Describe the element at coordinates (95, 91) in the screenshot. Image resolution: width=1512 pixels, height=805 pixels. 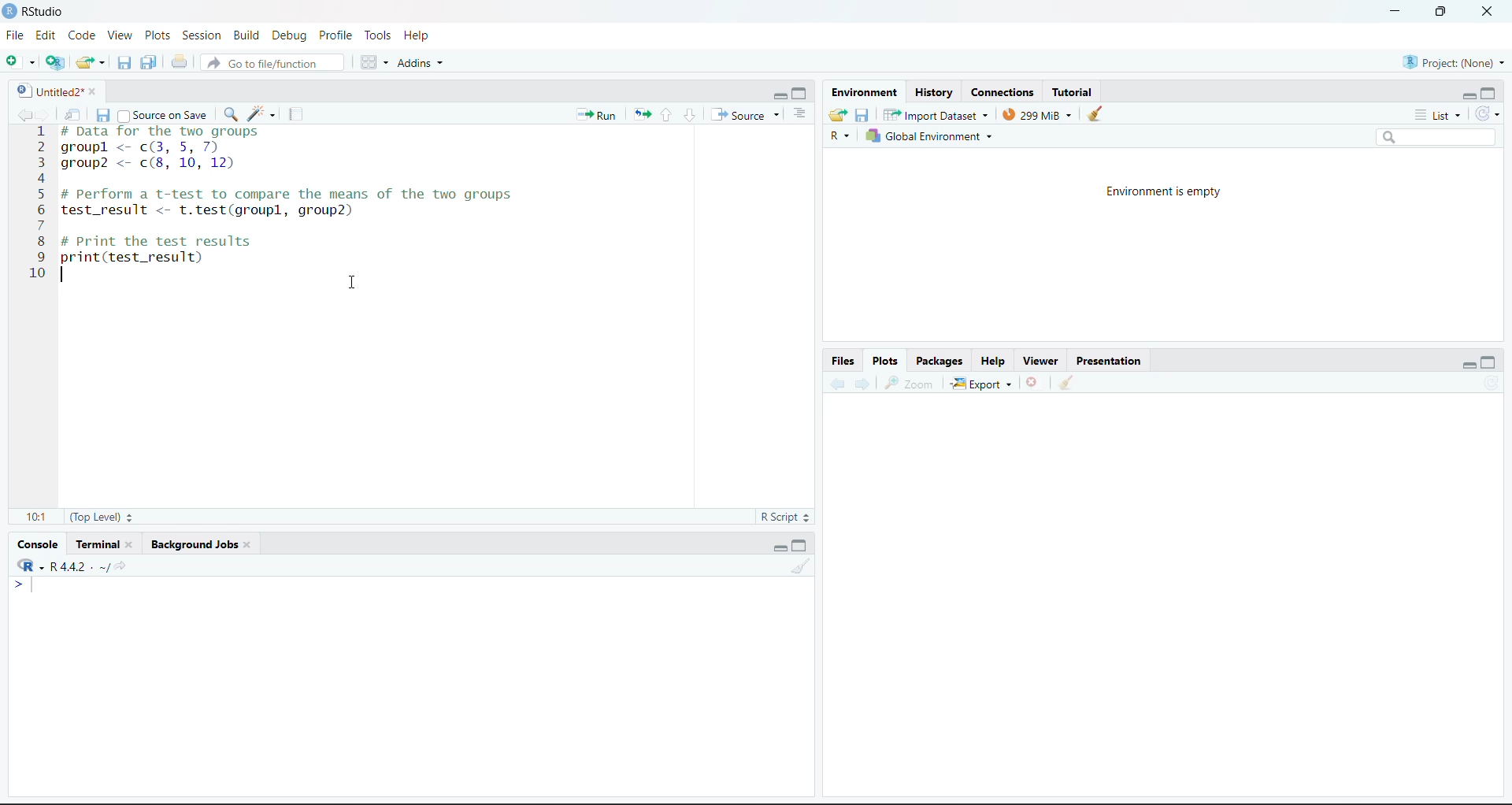
I see `close` at that location.